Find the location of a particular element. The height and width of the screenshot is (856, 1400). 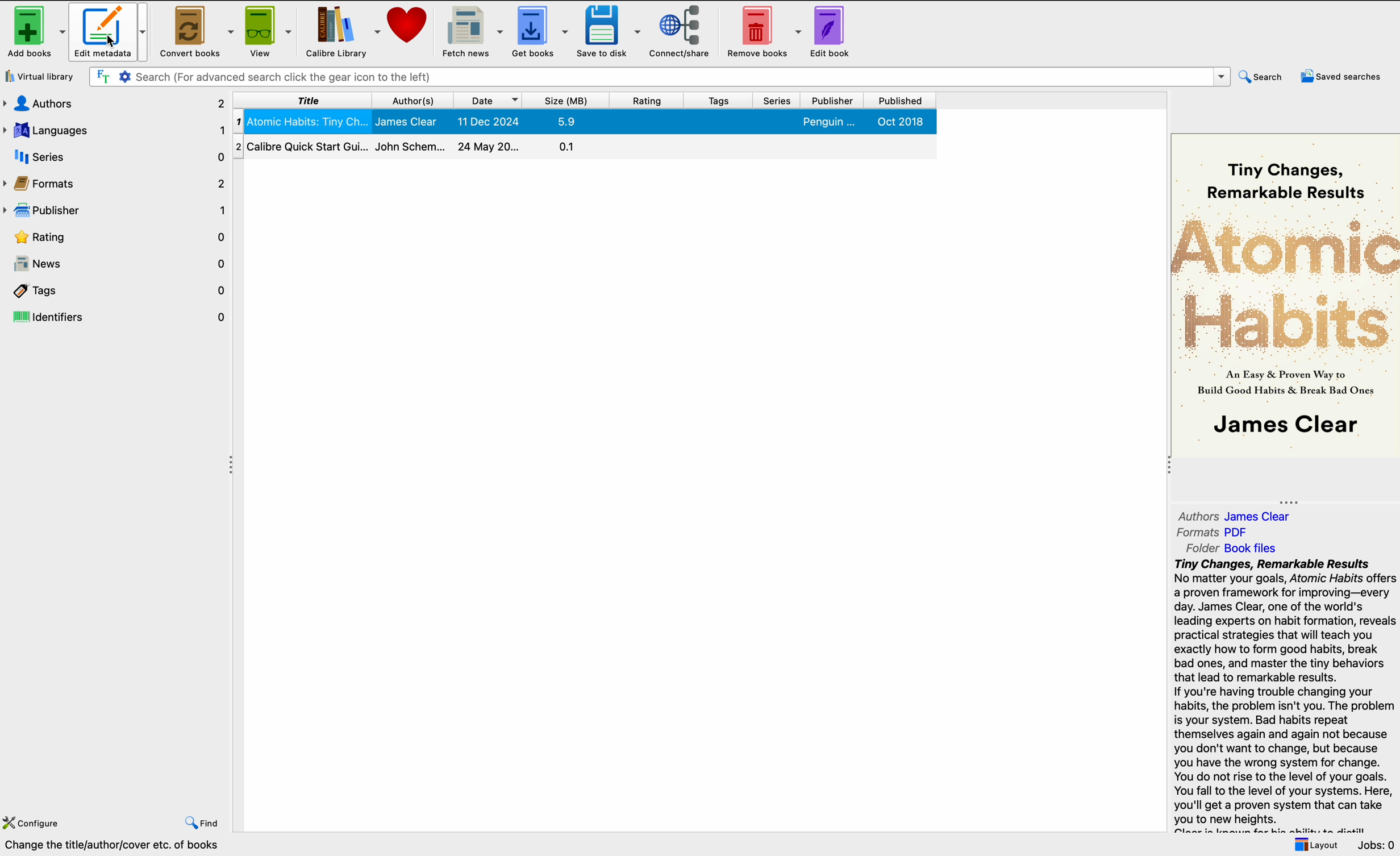

search is located at coordinates (1265, 76).